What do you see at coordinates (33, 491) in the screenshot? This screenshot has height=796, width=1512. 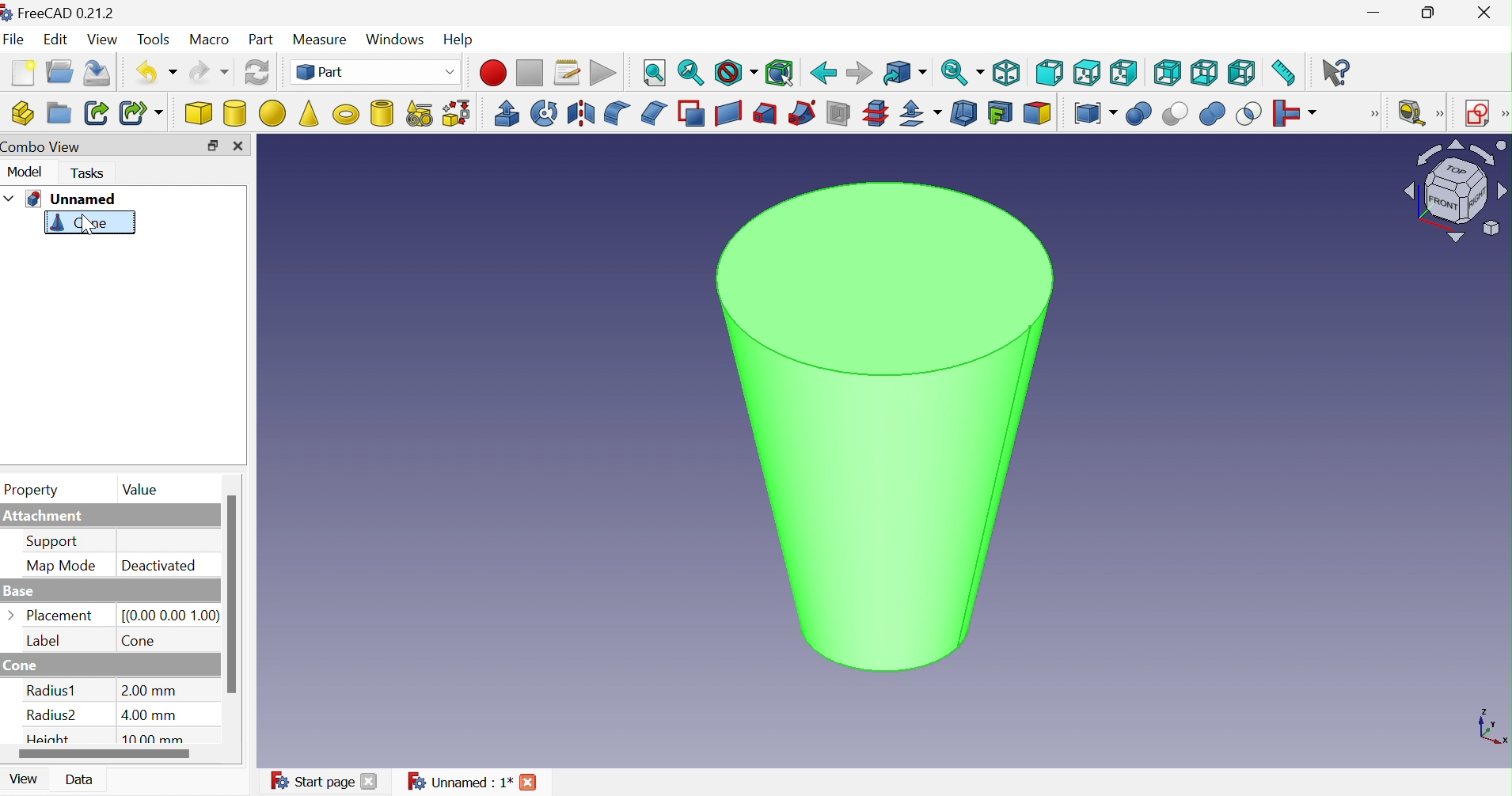 I see `Property` at bounding box center [33, 491].